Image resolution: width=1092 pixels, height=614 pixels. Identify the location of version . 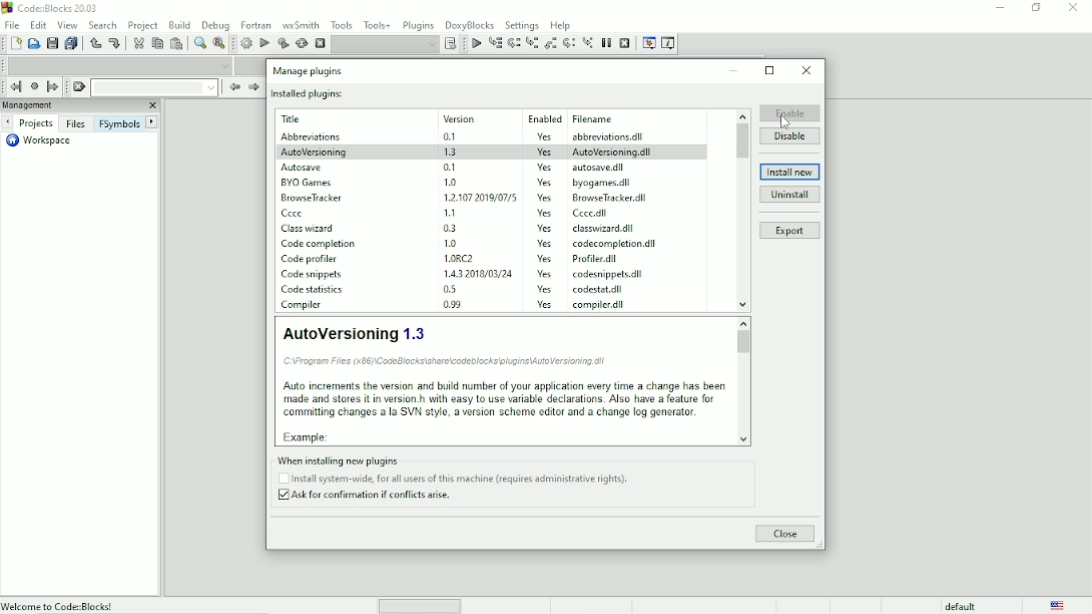
(476, 196).